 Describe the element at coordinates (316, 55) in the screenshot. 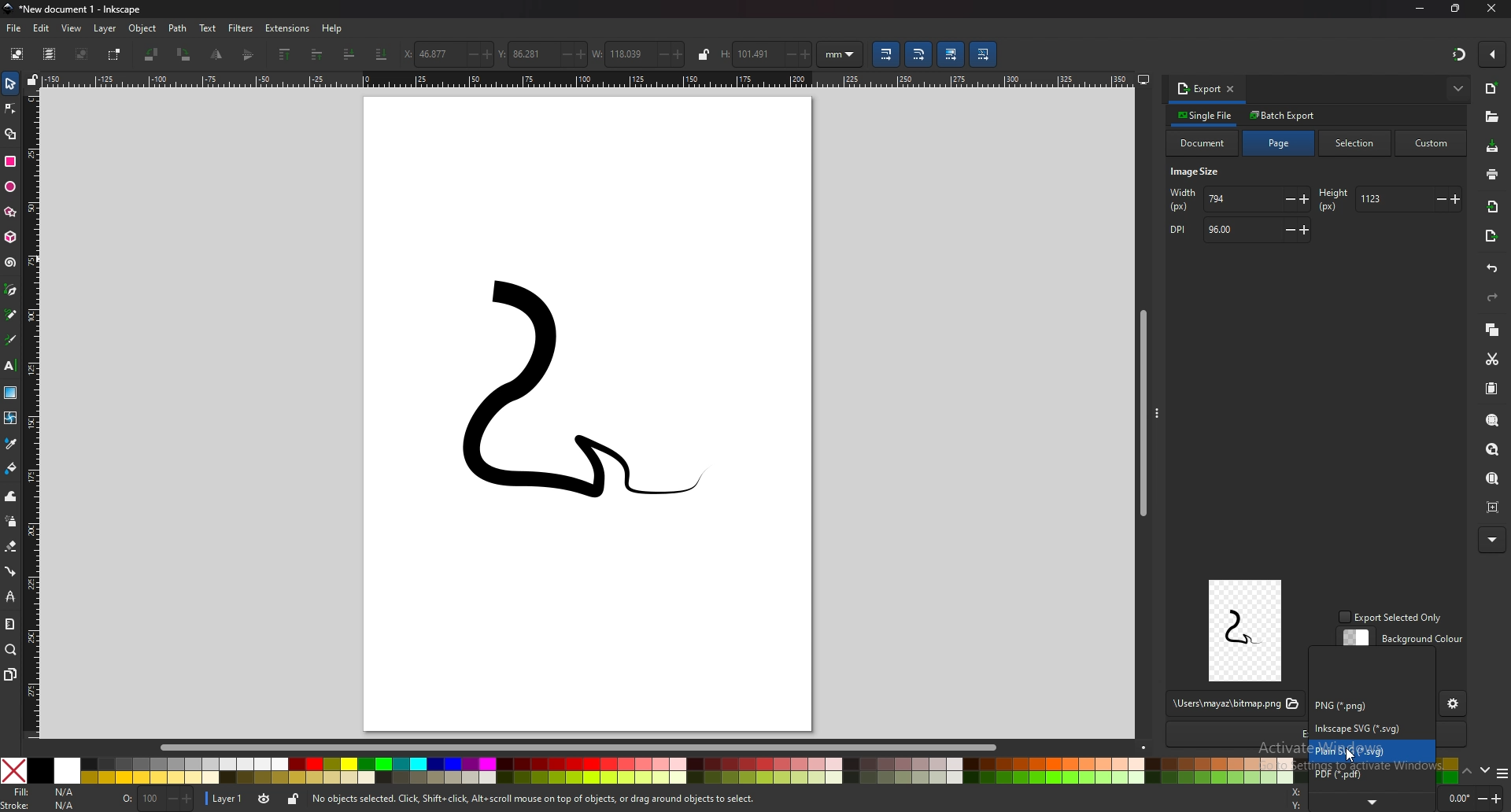

I see `raise selection one step` at that location.